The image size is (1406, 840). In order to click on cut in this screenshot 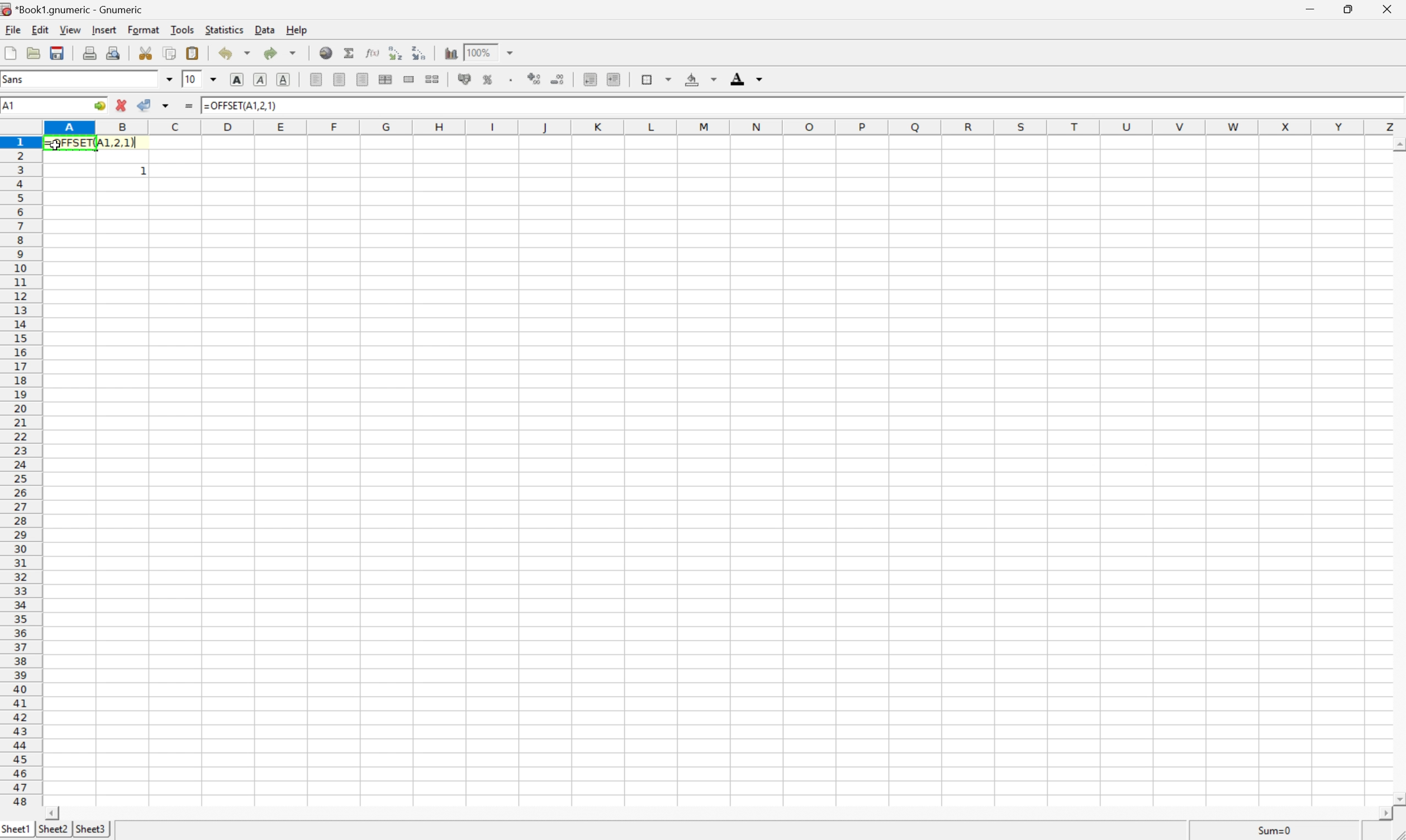, I will do `click(149, 52)`.